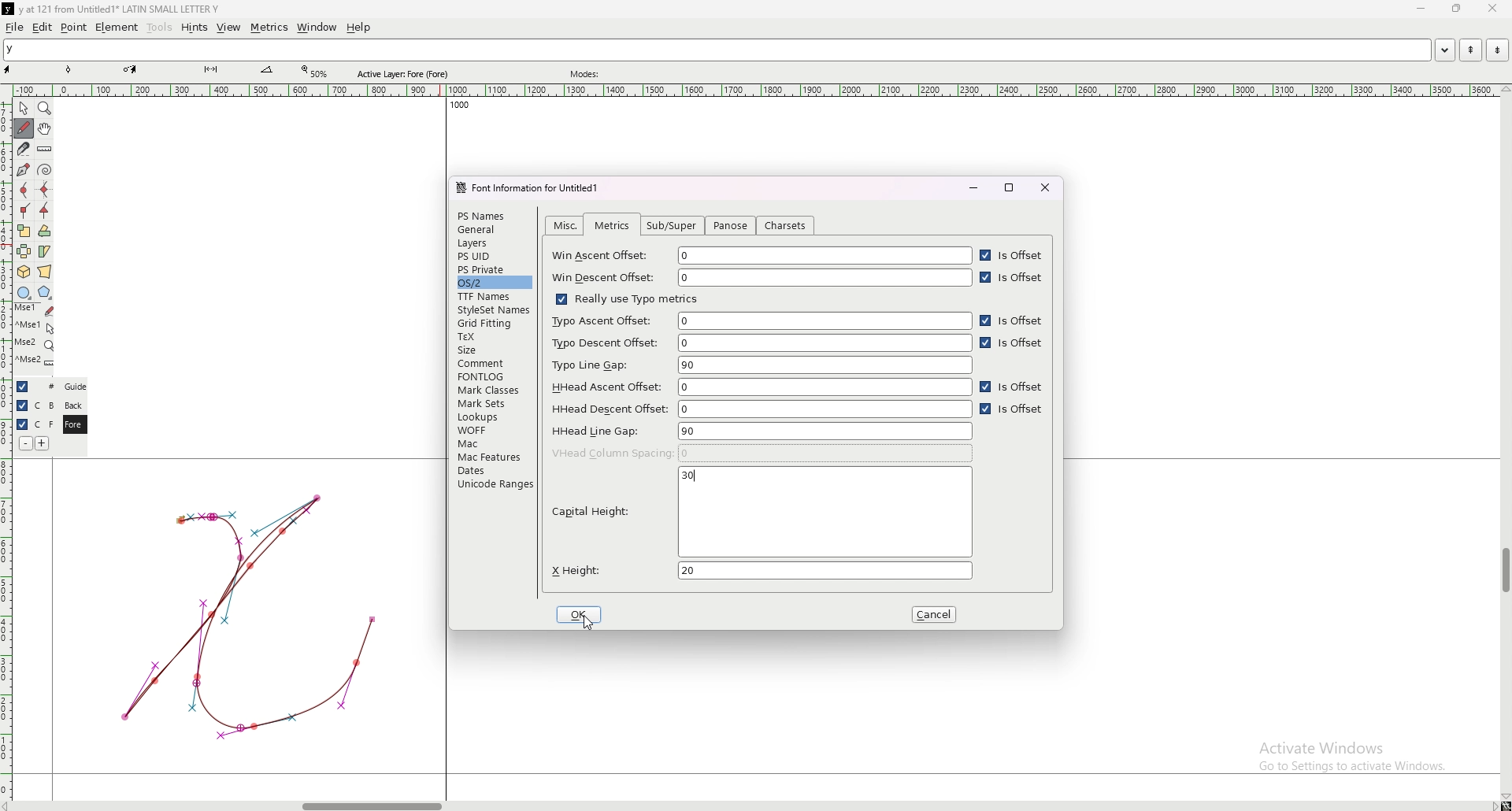 Image resolution: width=1512 pixels, height=811 pixels. Describe the element at coordinates (117, 27) in the screenshot. I see `element` at that location.